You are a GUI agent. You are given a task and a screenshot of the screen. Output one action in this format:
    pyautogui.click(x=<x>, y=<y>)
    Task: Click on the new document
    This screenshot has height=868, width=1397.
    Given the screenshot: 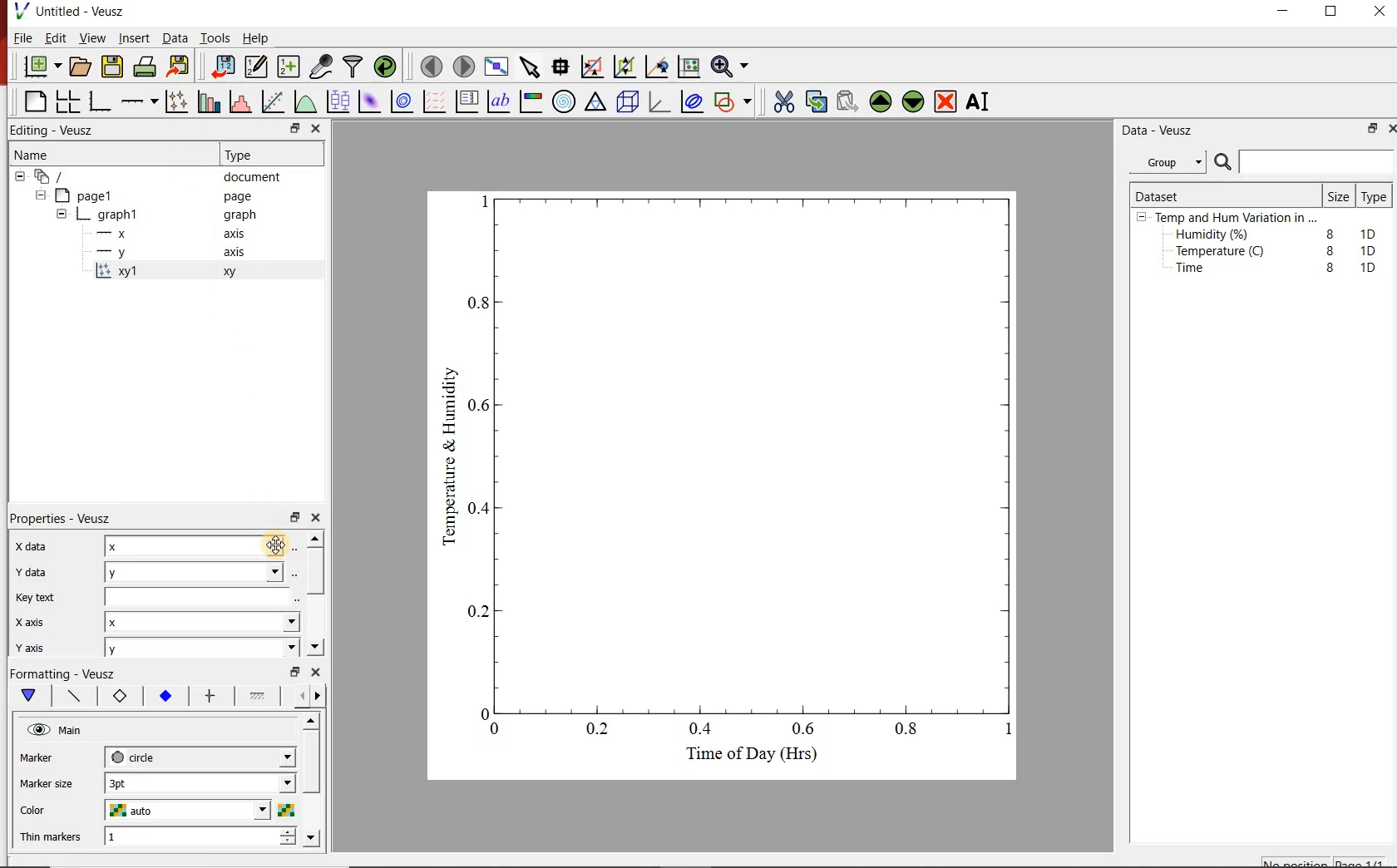 What is the action you would take?
    pyautogui.click(x=41, y=67)
    